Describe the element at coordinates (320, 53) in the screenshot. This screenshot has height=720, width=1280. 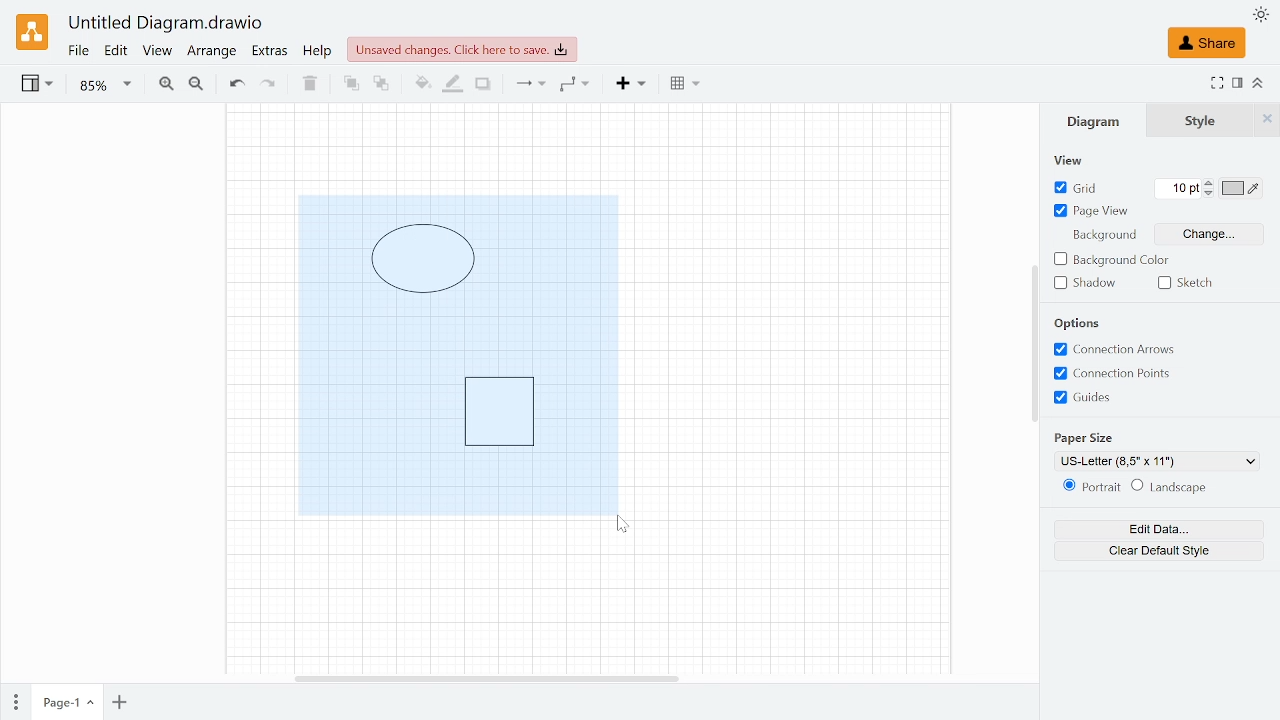
I see `Help` at that location.